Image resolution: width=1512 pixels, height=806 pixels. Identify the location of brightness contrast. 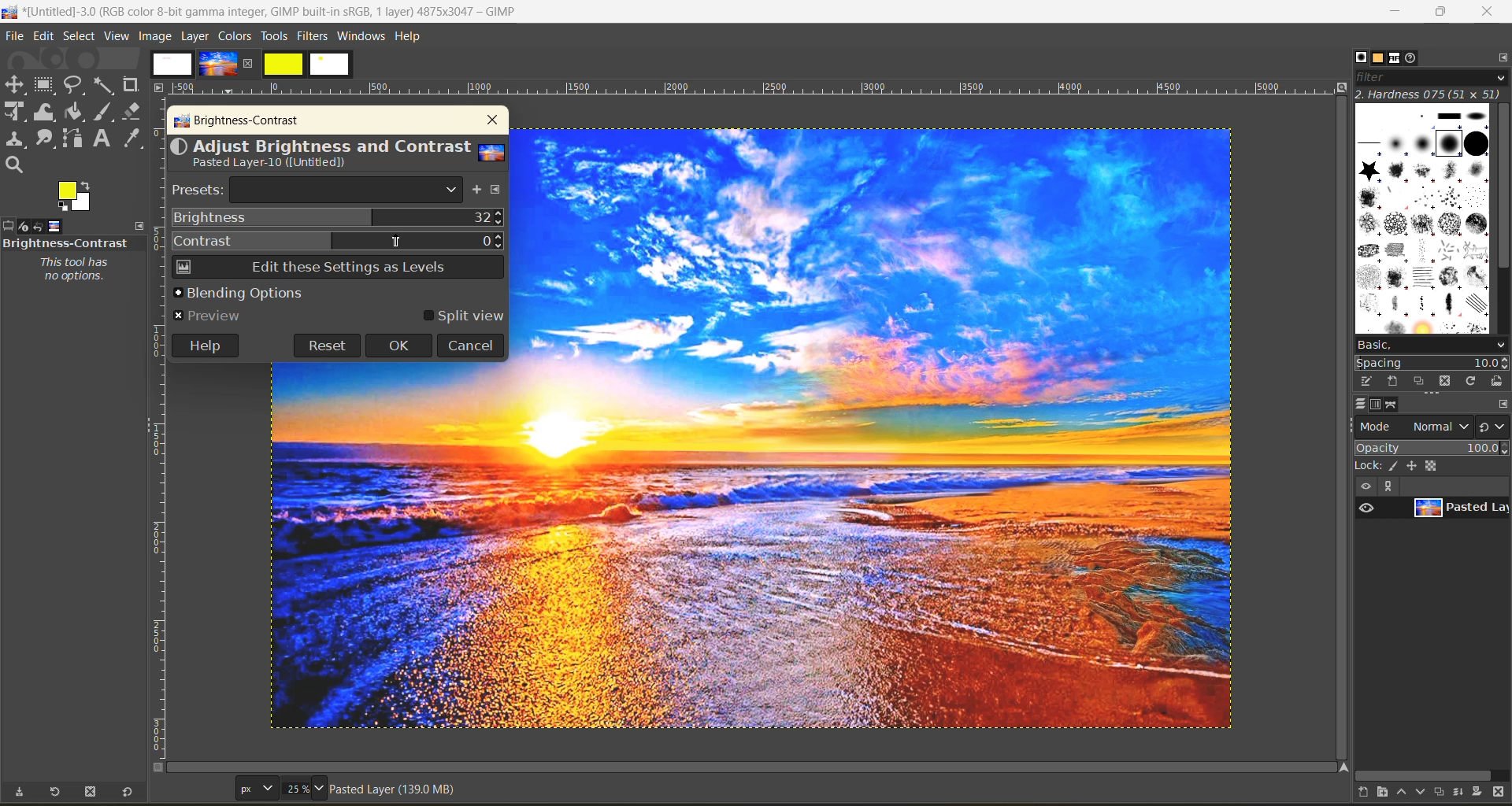
(238, 122).